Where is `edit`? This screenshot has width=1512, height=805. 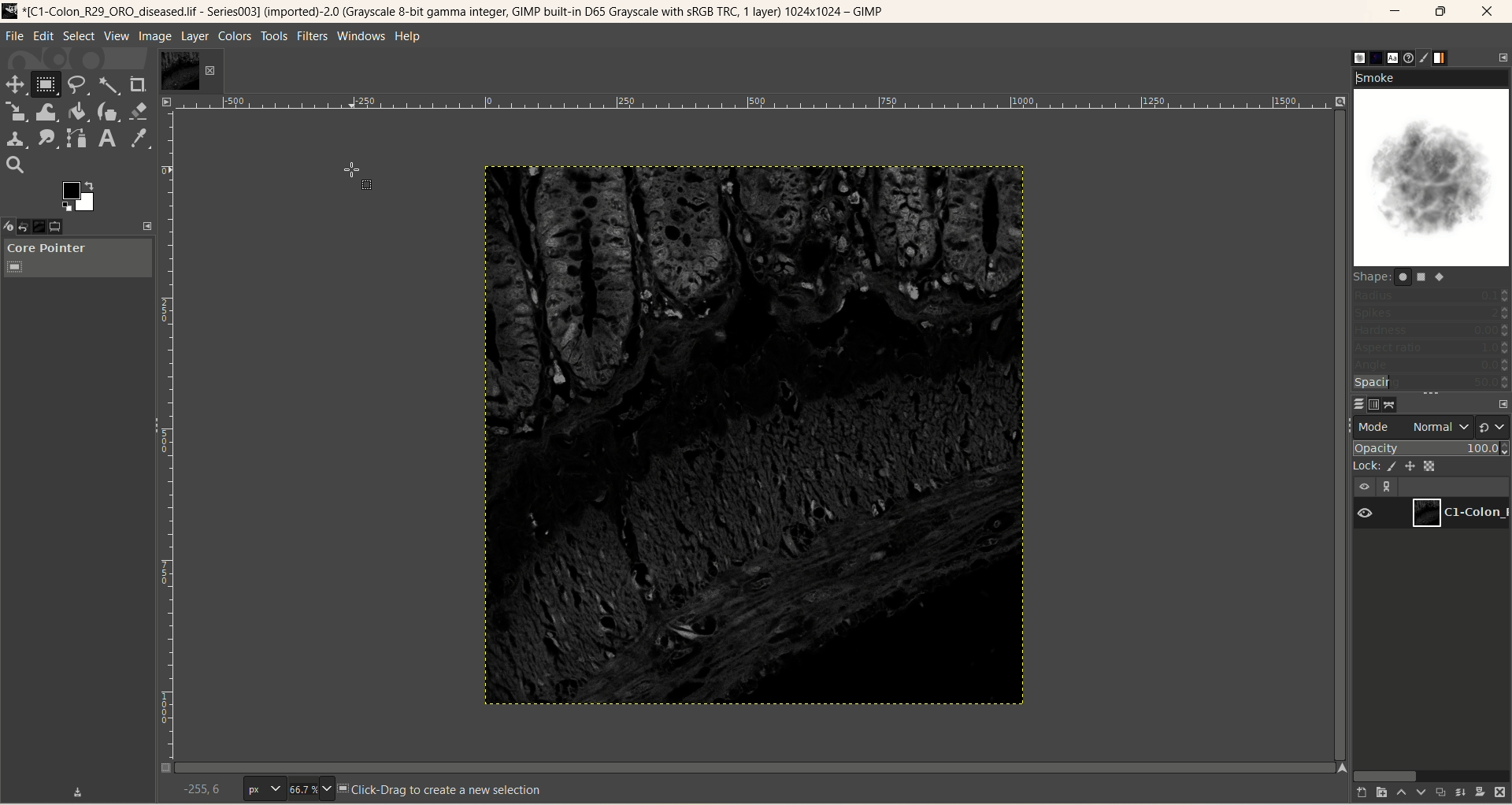
edit is located at coordinates (44, 35).